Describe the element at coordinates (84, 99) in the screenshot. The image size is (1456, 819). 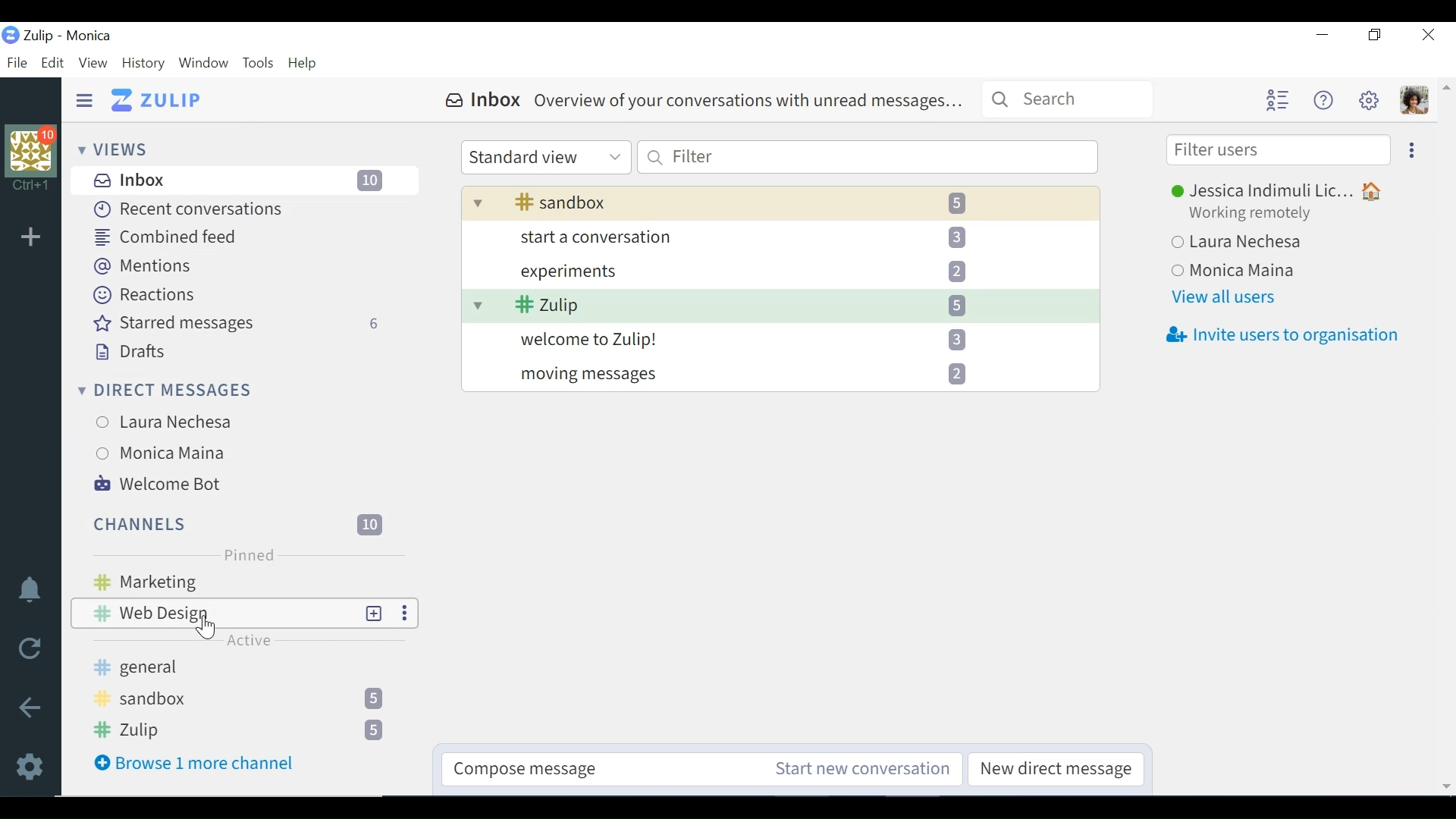
I see `Hide Sidebar` at that location.